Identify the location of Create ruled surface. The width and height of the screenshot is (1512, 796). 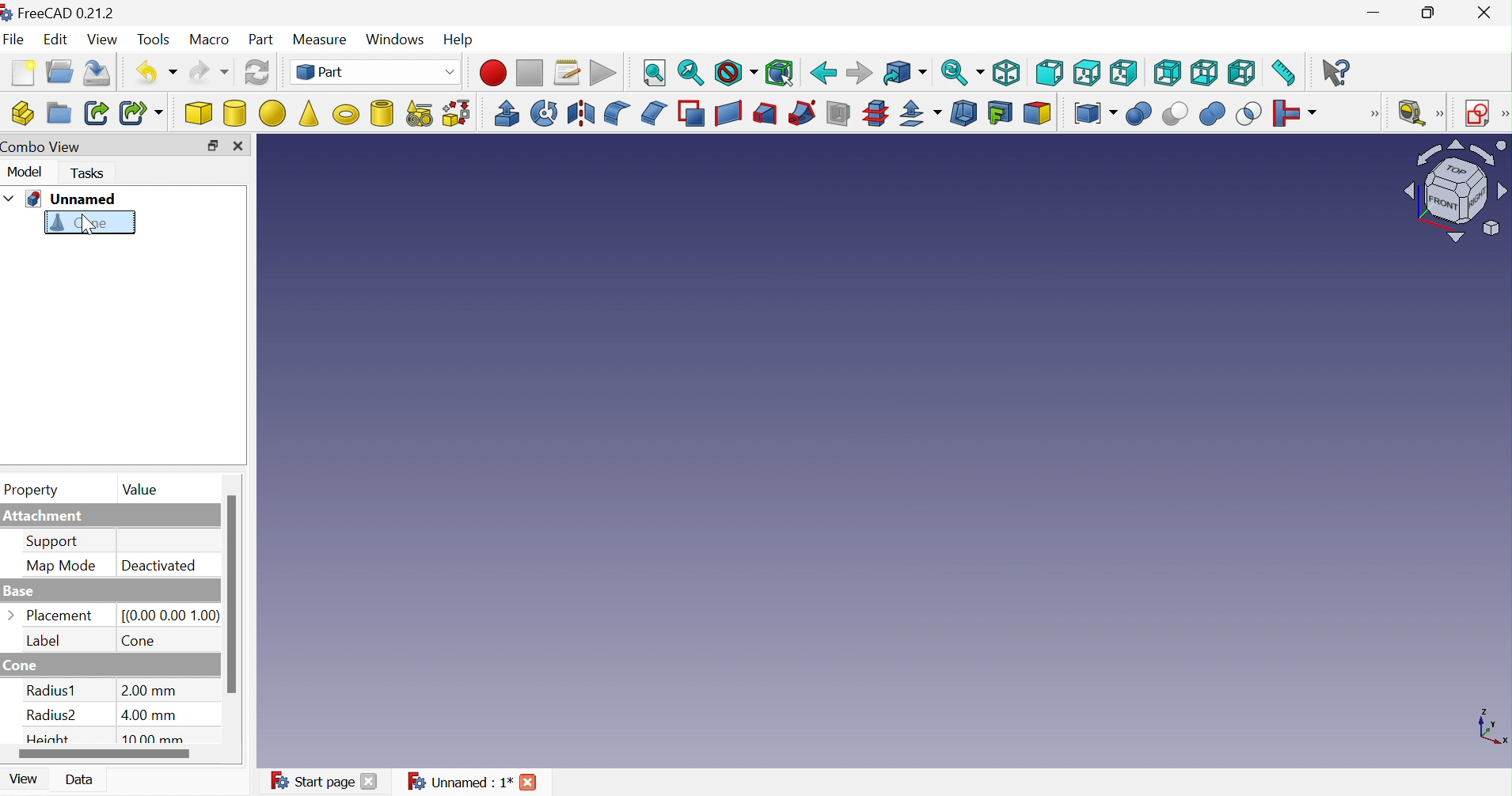
(728, 114).